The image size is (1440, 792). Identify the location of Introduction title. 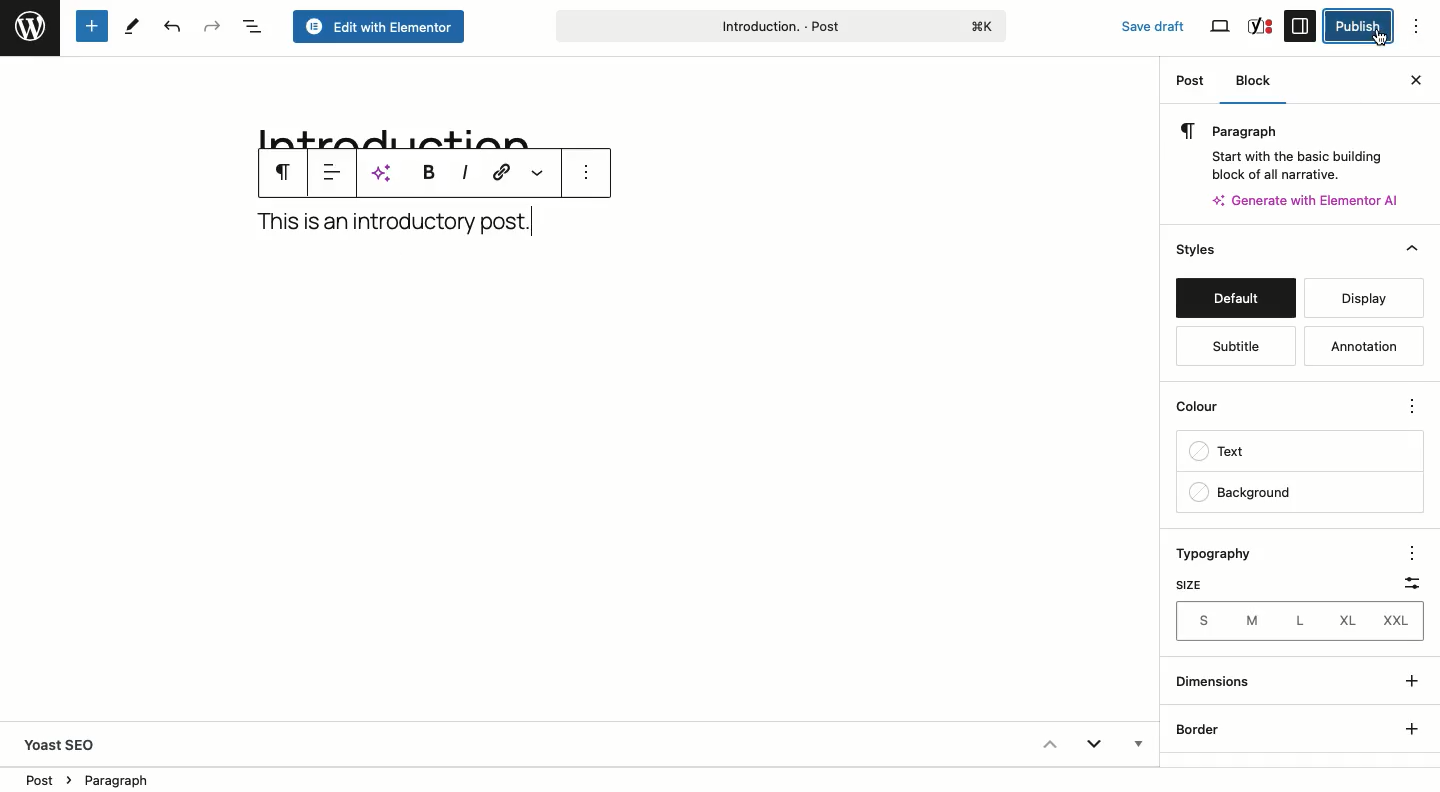
(780, 24).